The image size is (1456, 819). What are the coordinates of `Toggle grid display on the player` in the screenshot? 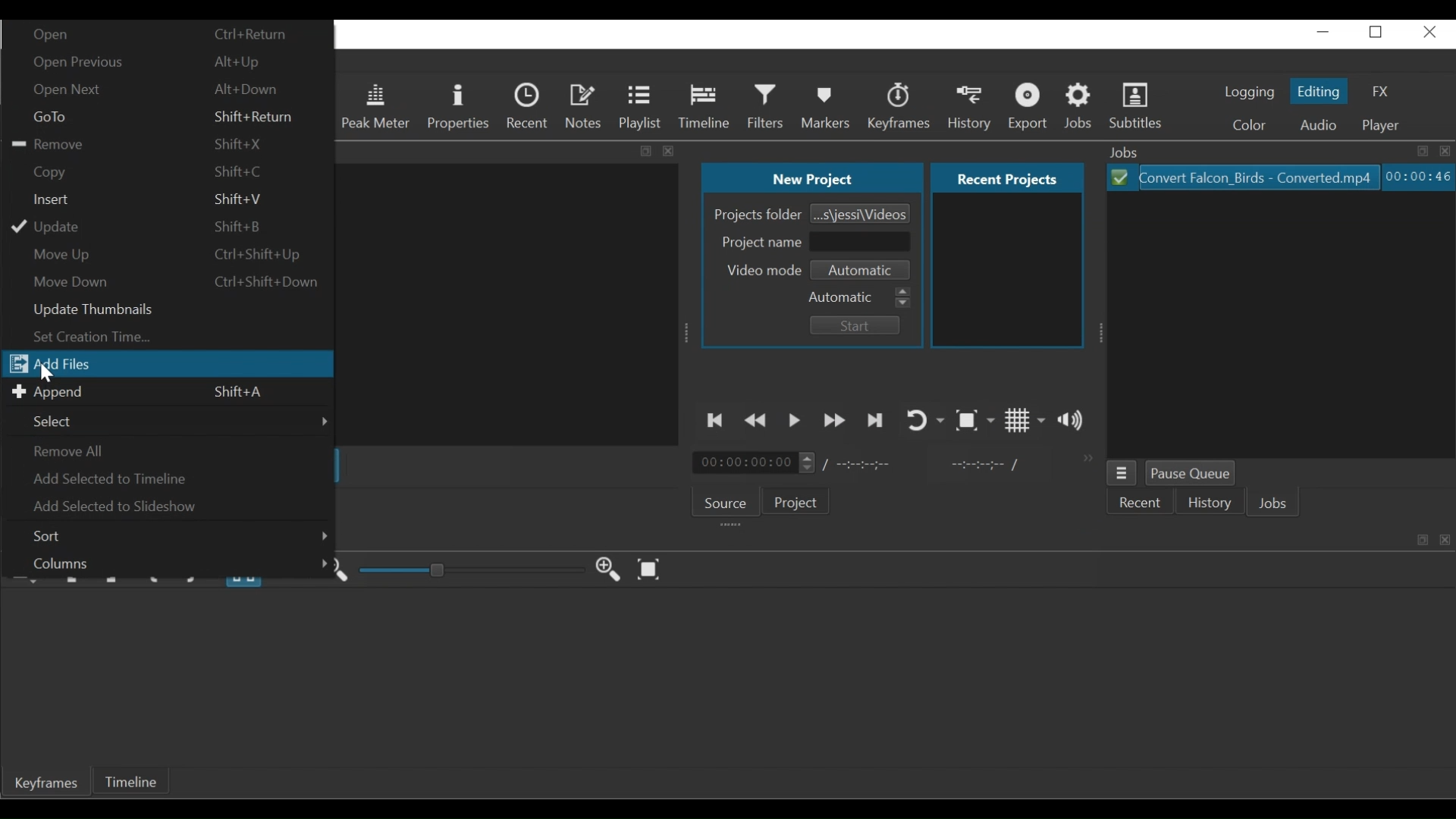 It's located at (1025, 419).